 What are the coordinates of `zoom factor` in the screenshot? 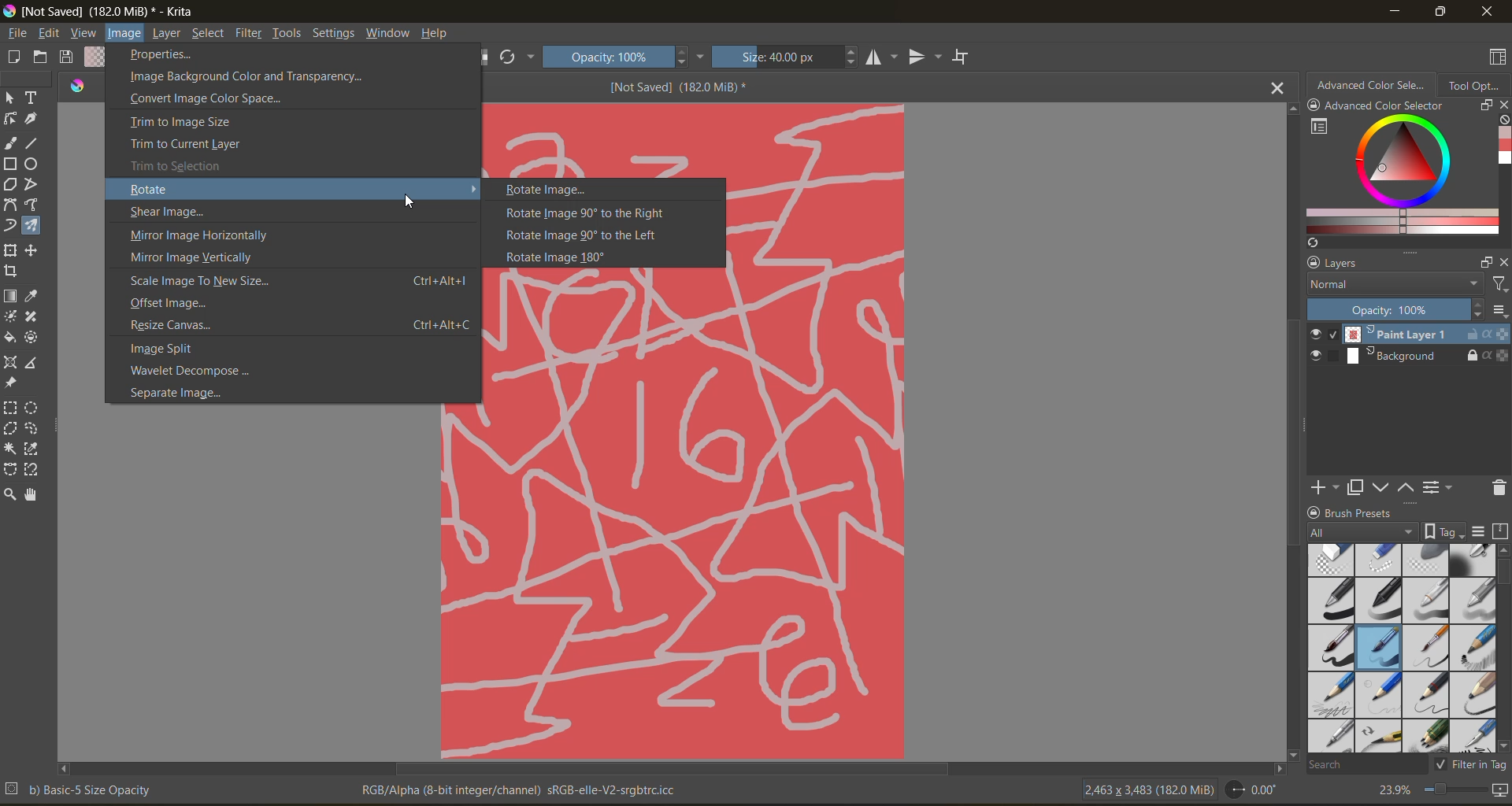 It's located at (1395, 789).